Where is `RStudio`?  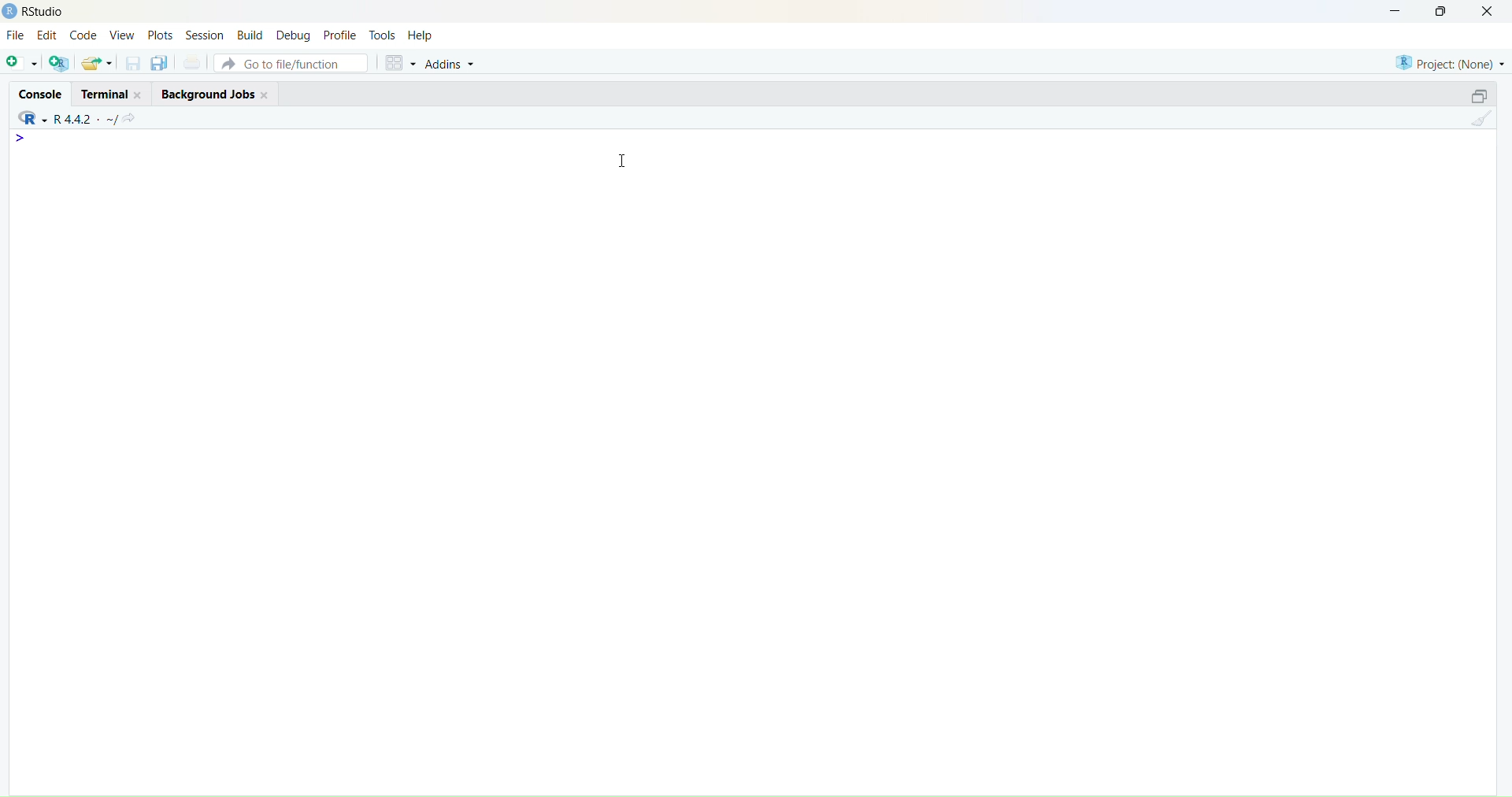 RStudio is located at coordinates (33, 12).